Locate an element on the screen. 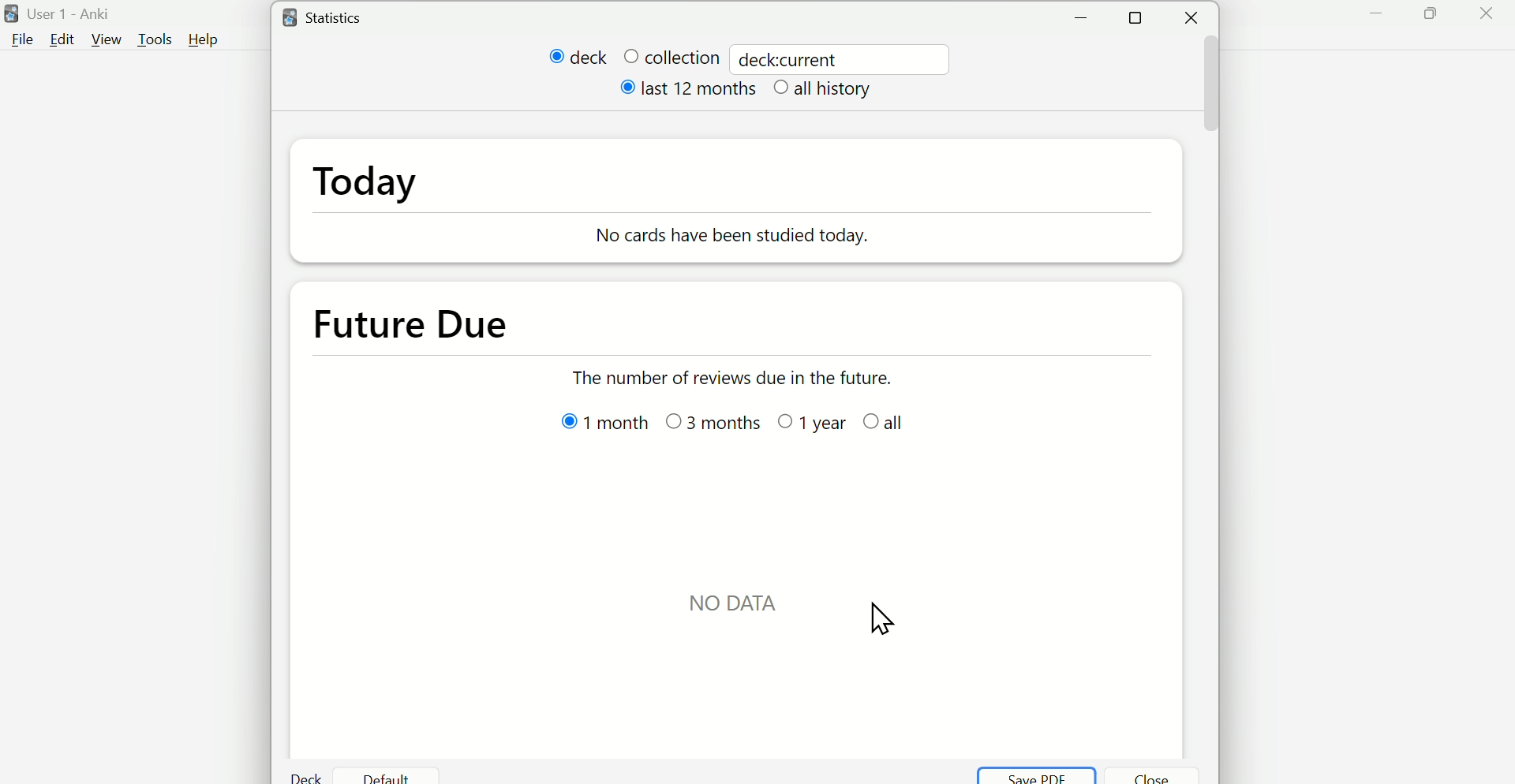  deck is located at coordinates (578, 53).